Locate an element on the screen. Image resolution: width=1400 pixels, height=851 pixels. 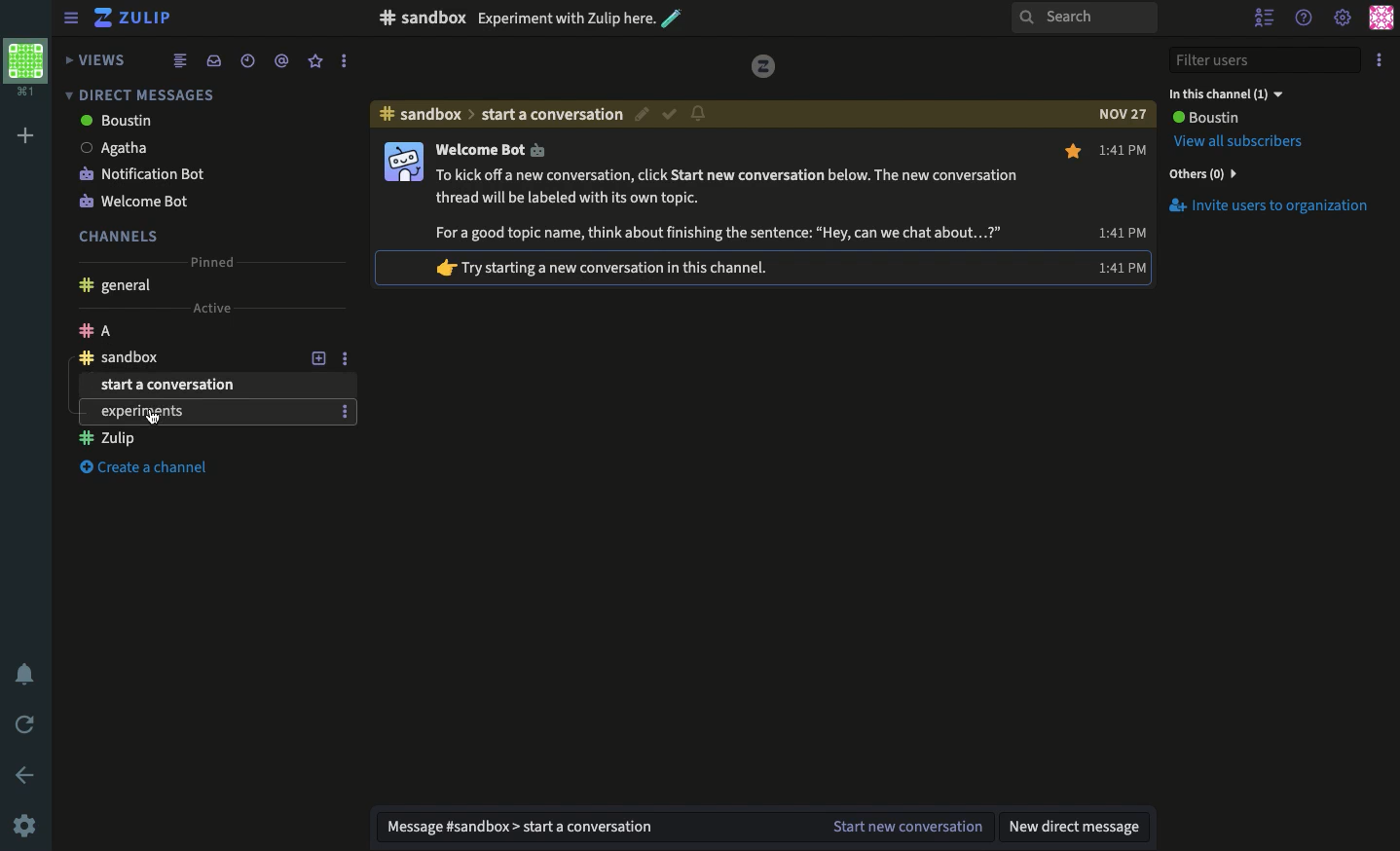
Pinned is located at coordinates (210, 259).